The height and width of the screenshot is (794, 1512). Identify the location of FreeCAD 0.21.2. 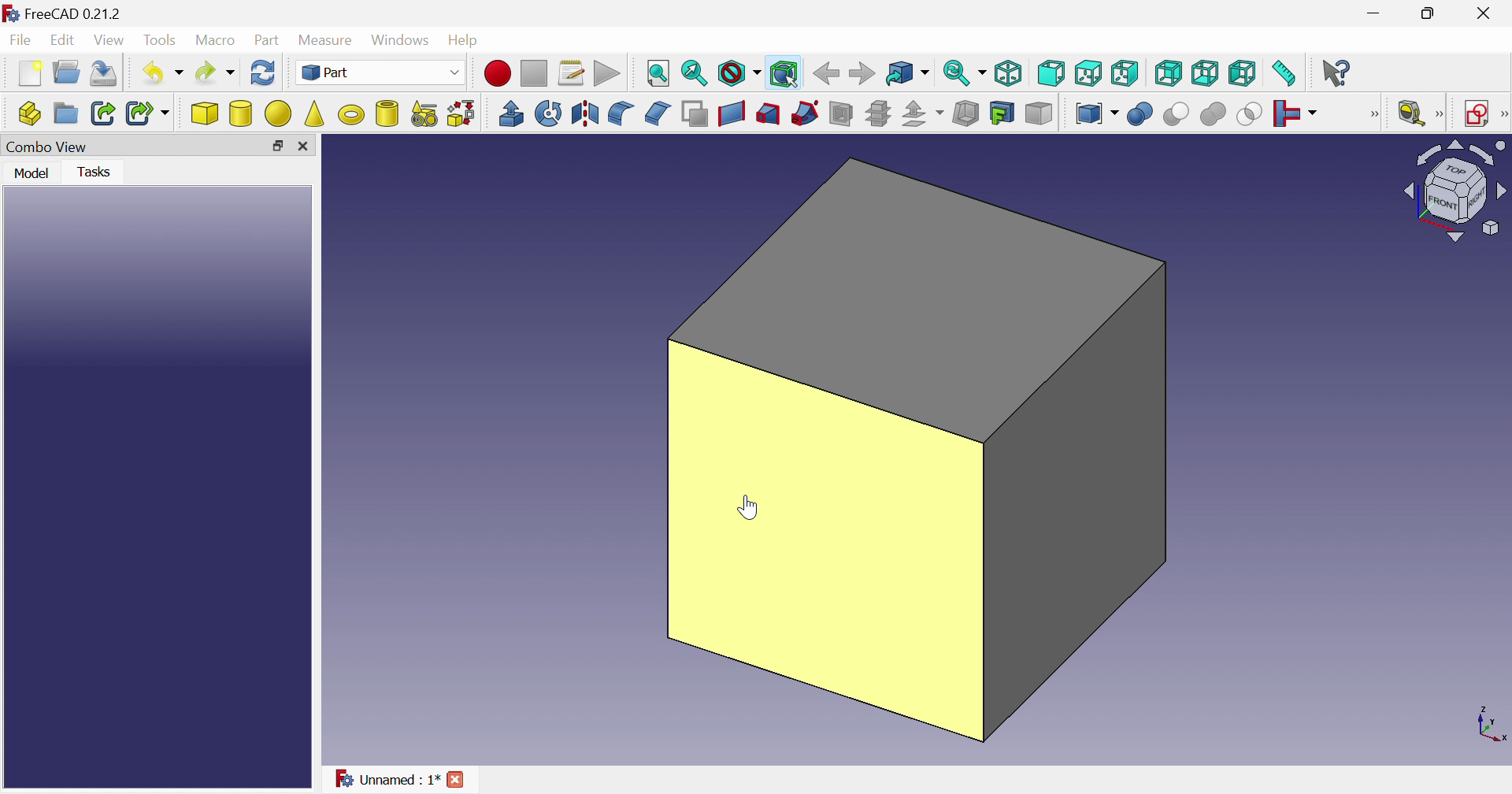
(76, 13).